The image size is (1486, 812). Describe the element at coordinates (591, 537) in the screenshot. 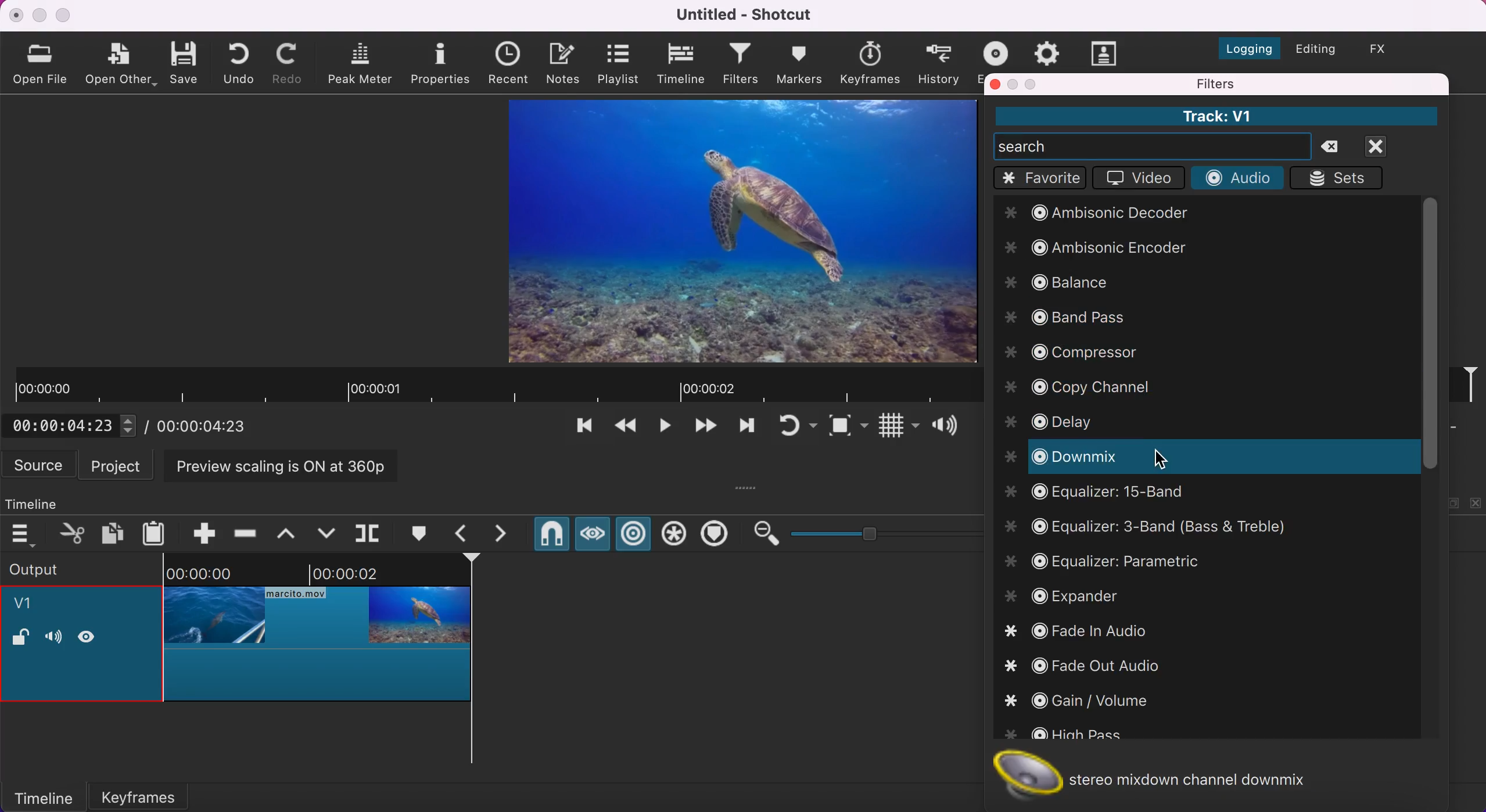

I see `scrub while draggins` at that location.